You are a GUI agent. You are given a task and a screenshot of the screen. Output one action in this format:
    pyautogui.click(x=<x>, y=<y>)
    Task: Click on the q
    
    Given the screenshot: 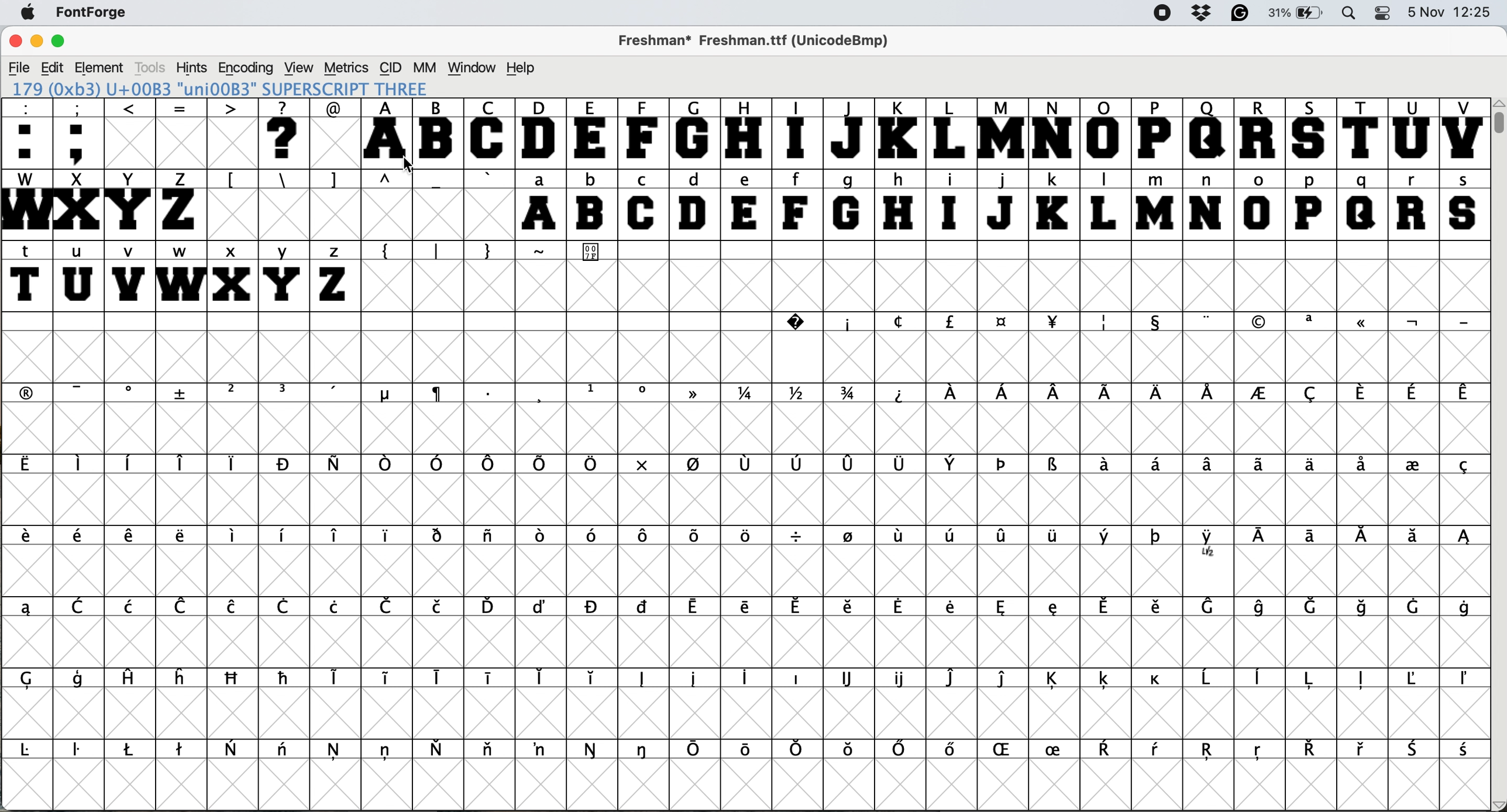 What is the action you would take?
    pyautogui.click(x=1363, y=205)
    